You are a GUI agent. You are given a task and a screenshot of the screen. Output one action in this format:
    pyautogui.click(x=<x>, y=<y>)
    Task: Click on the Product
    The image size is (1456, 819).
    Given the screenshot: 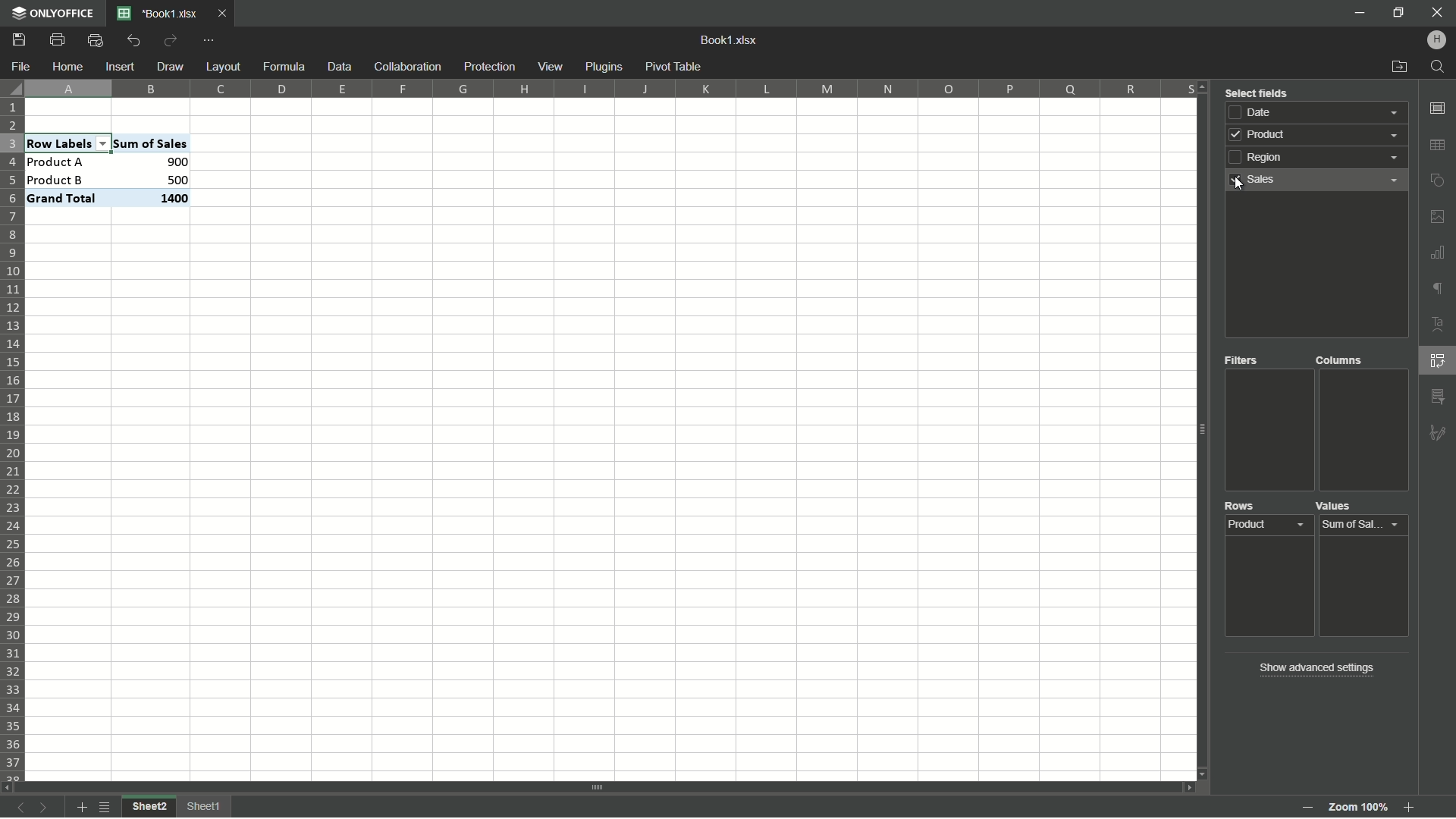 What is the action you would take?
    pyautogui.click(x=1318, y=137)
    